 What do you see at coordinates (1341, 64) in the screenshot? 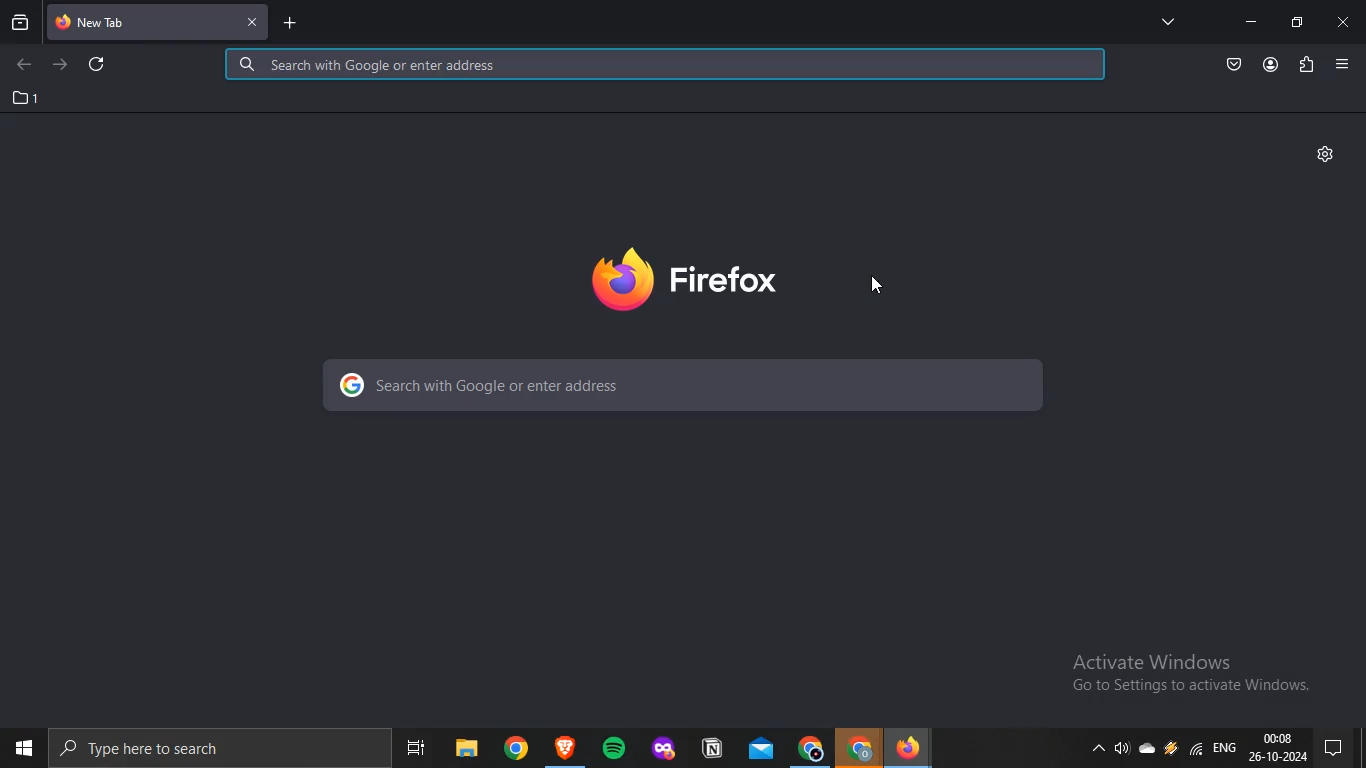
I see `` at bounding box center [1341, 64].